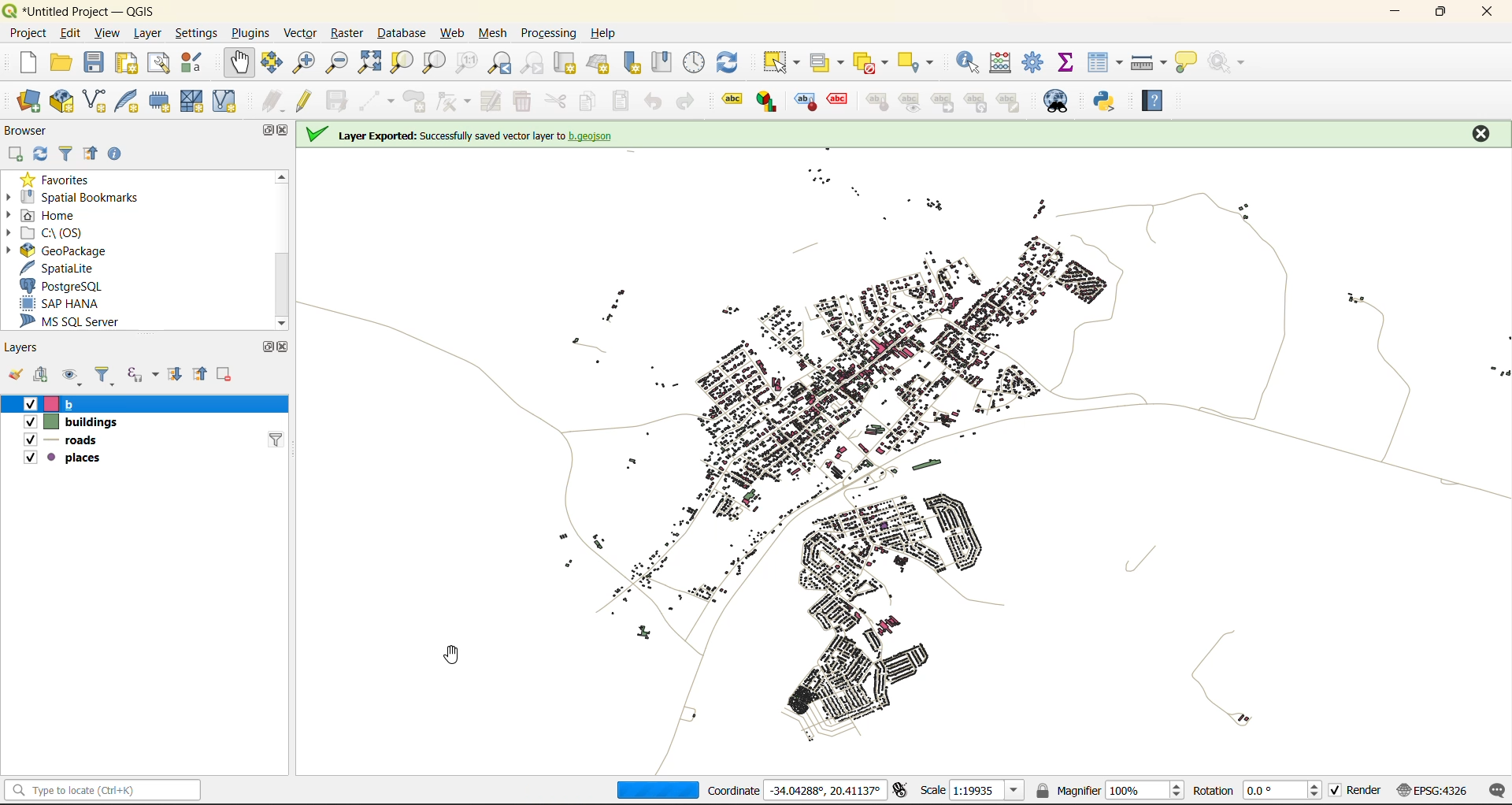 The image size is (1512, 805). Describe the element at coordinates (192, 65) in the screenshot. I see `style manager` at that location.